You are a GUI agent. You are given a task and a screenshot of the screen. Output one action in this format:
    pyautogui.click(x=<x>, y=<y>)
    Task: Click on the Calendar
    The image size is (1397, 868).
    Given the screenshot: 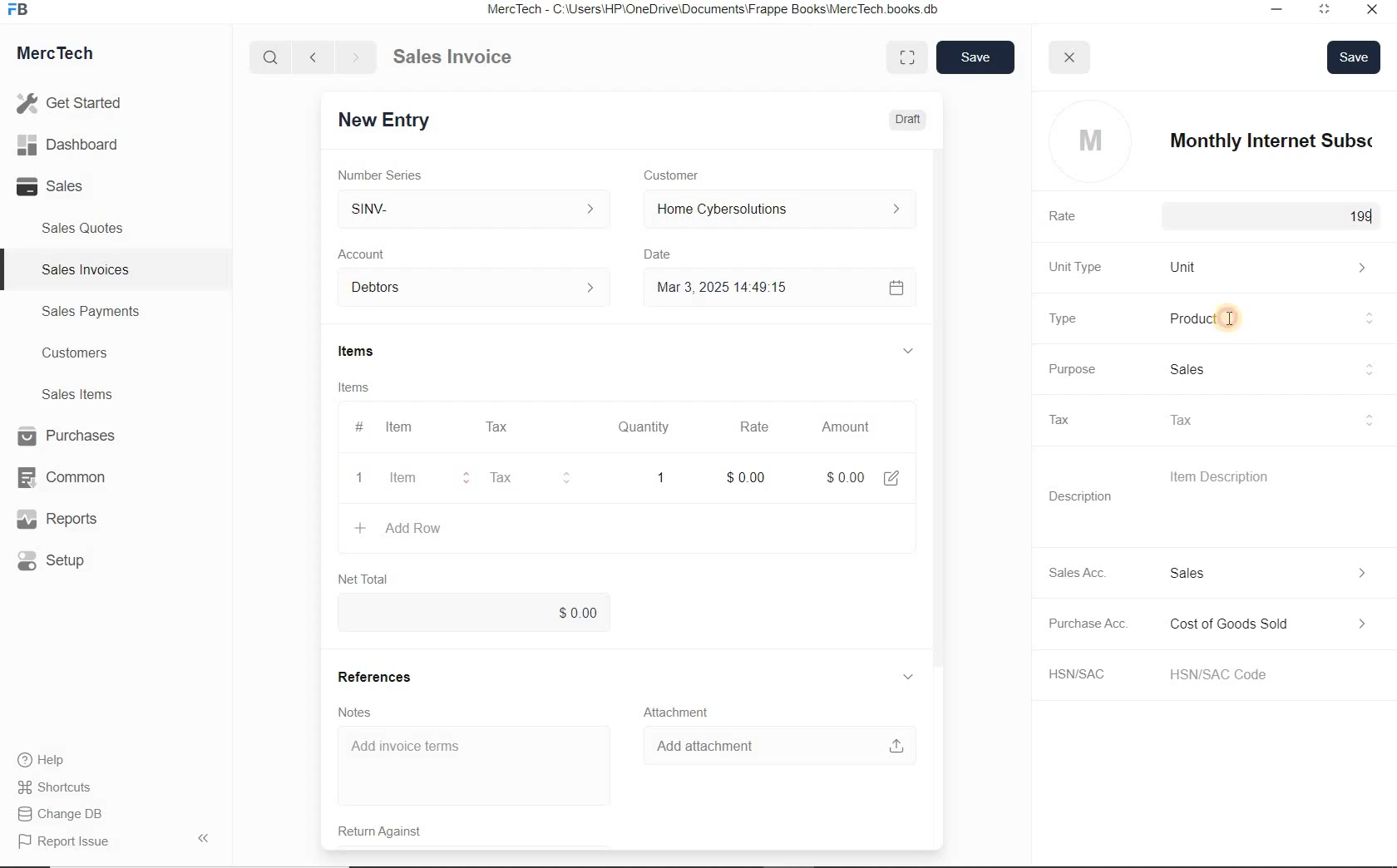 What is the action you would take?
    pyautogui.click(x=892, y=287)
    